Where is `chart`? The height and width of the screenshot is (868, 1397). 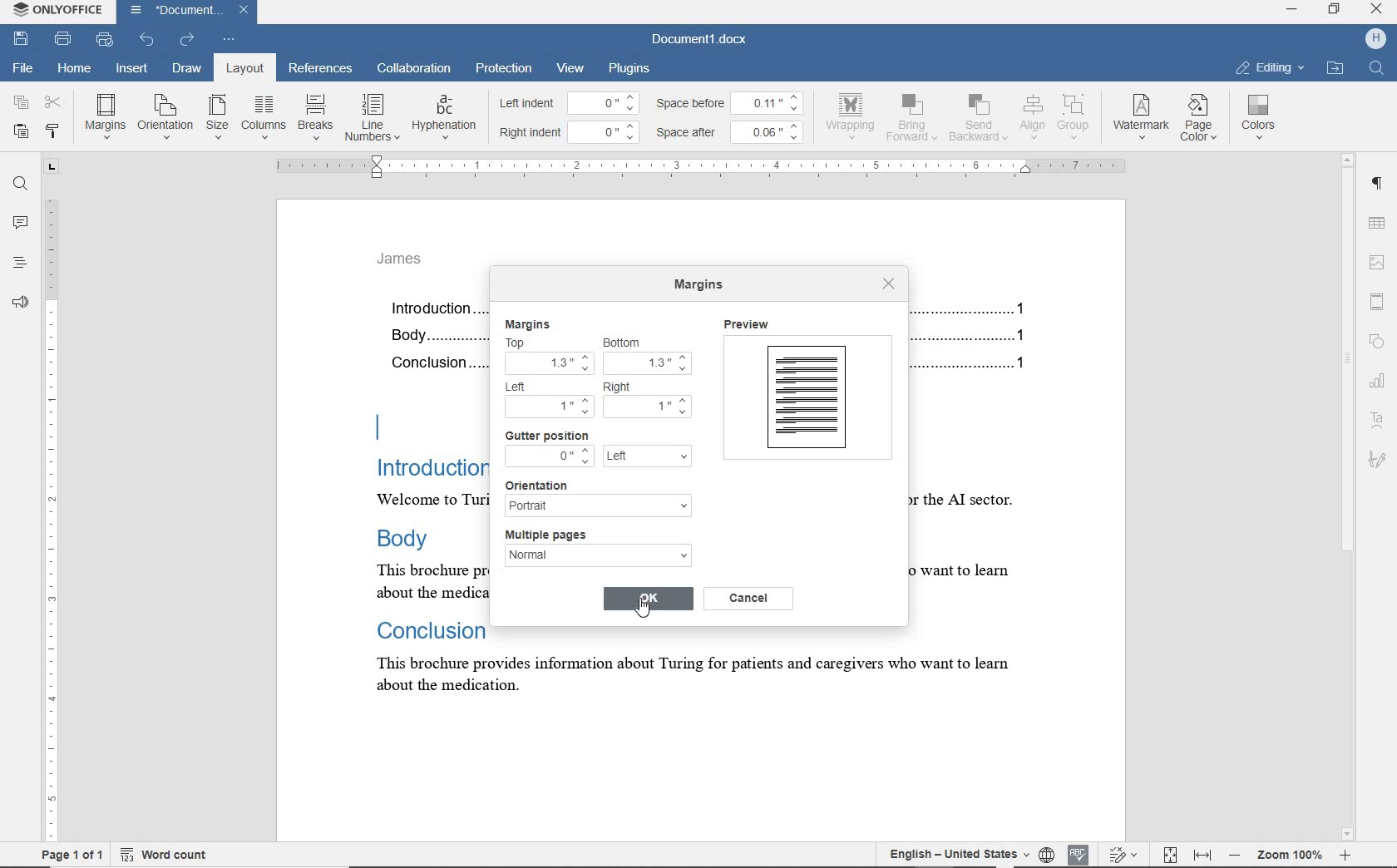
chart is located at coordinates (1380, 384).